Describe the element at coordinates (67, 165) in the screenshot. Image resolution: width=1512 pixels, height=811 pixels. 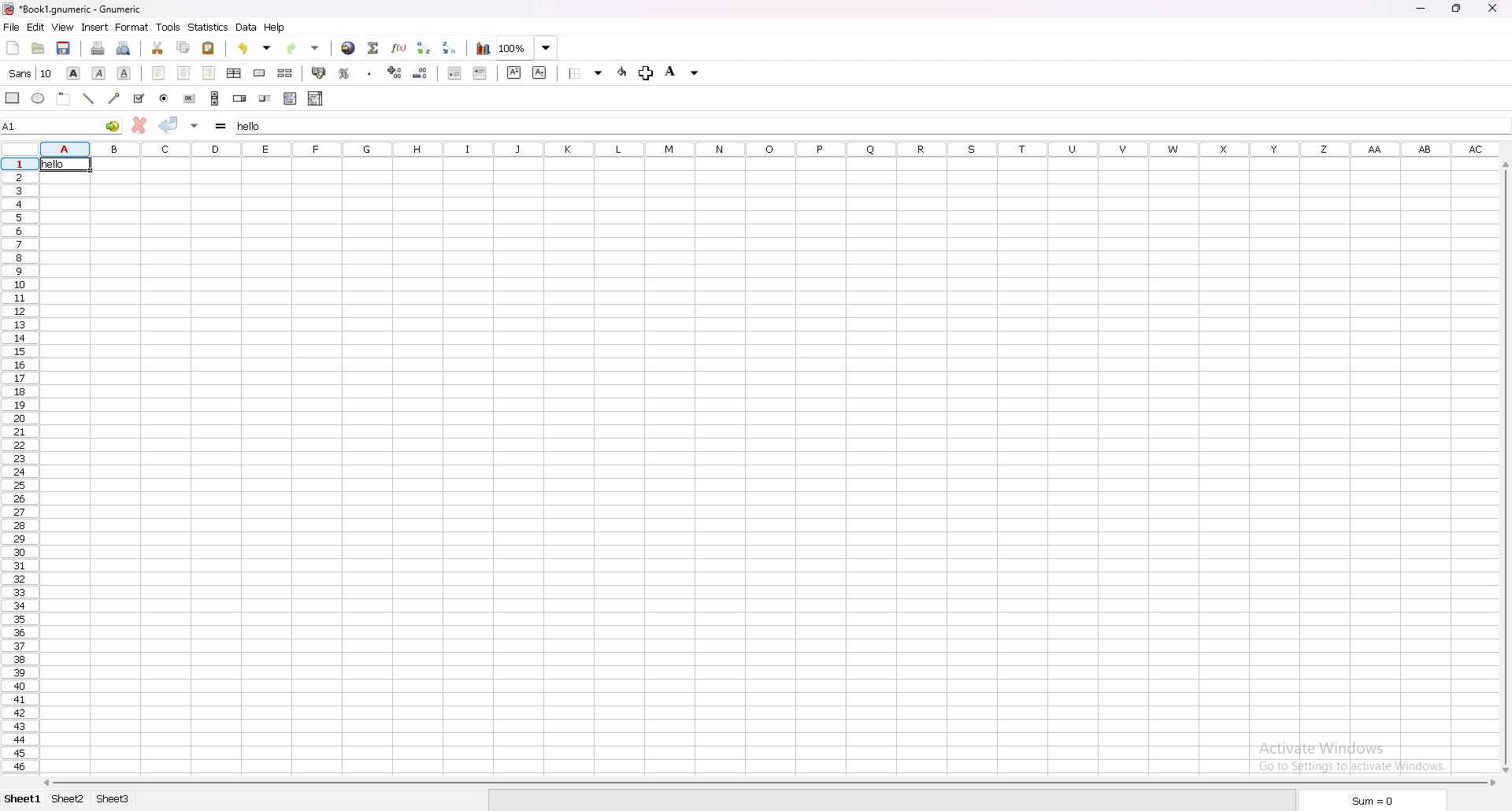
I see `cell` at that location.